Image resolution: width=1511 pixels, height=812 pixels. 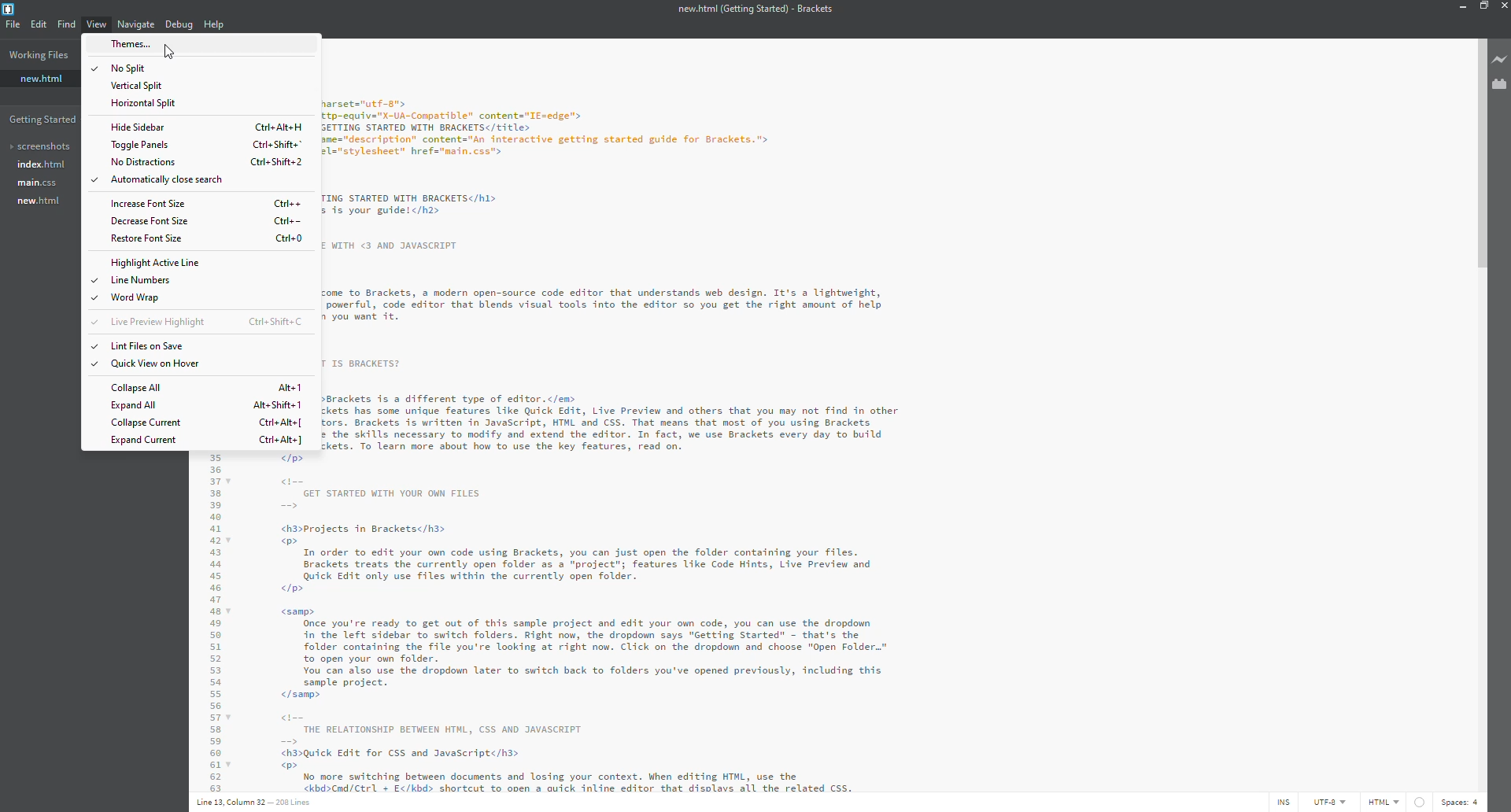 I want to click on search, so click(x=173, y=54).